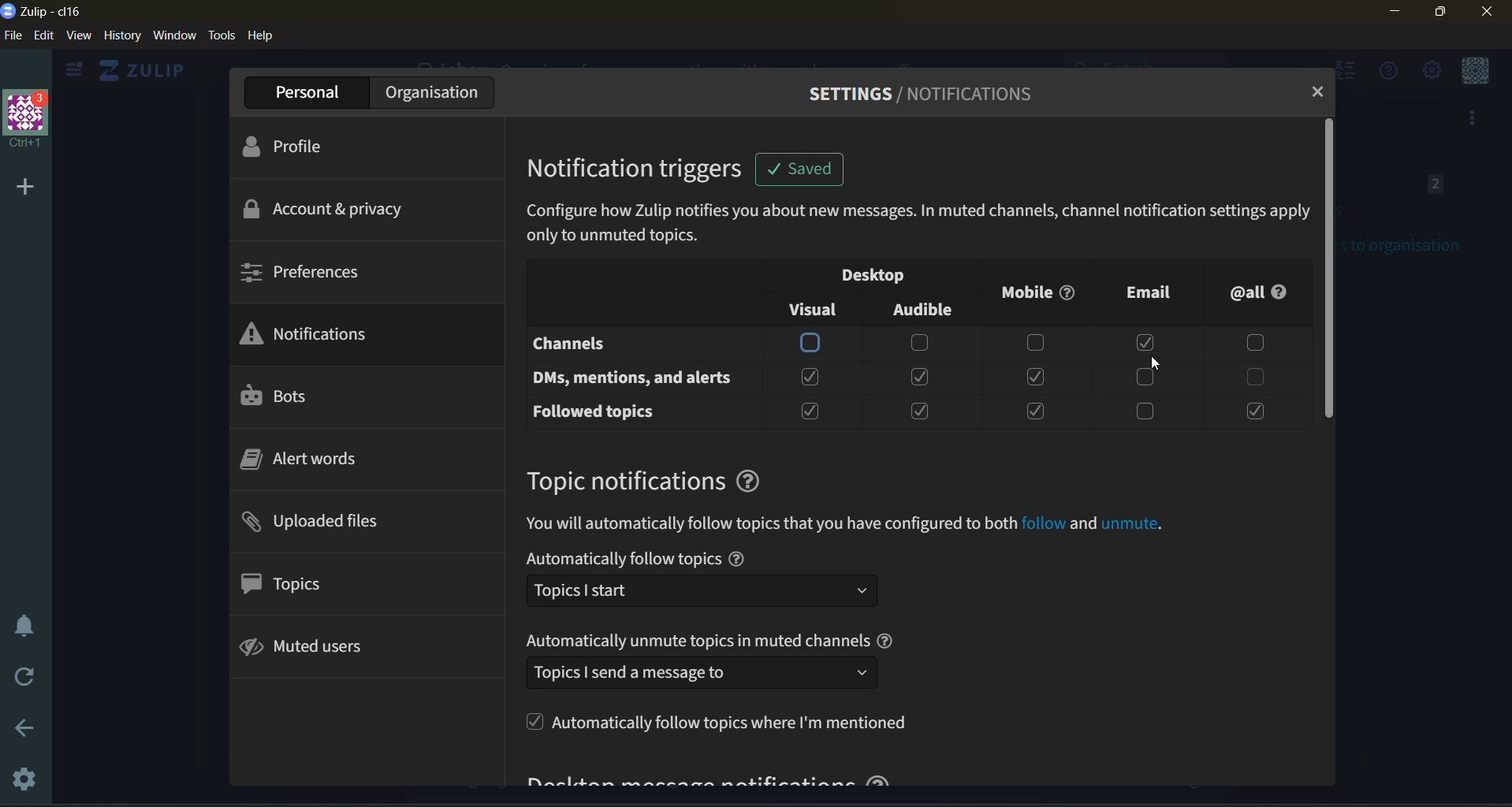  What do you see at coordinates (613, 345) in the screenshot?
I see `channels` at bounding box center [613, 345].